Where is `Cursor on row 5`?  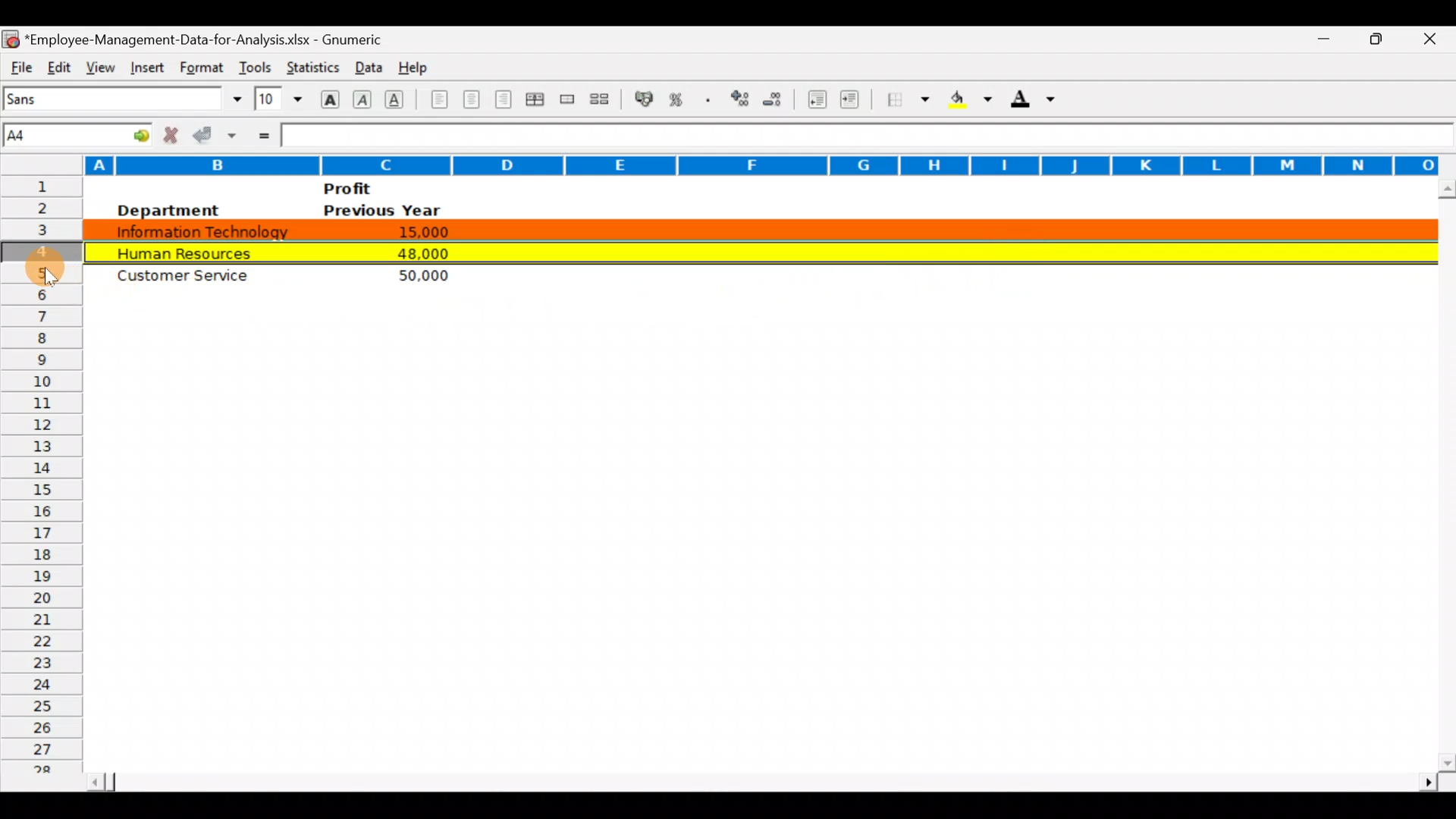
Cursor on row 5 is located at coordinates (47, 268).